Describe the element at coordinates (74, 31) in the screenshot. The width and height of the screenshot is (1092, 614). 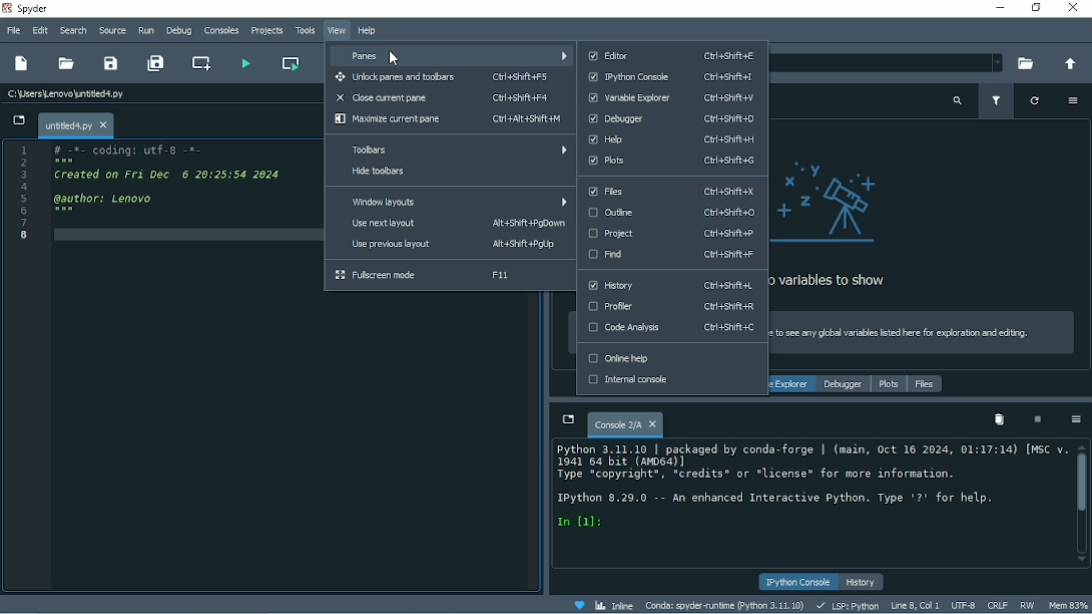
I see `Search` at that location.